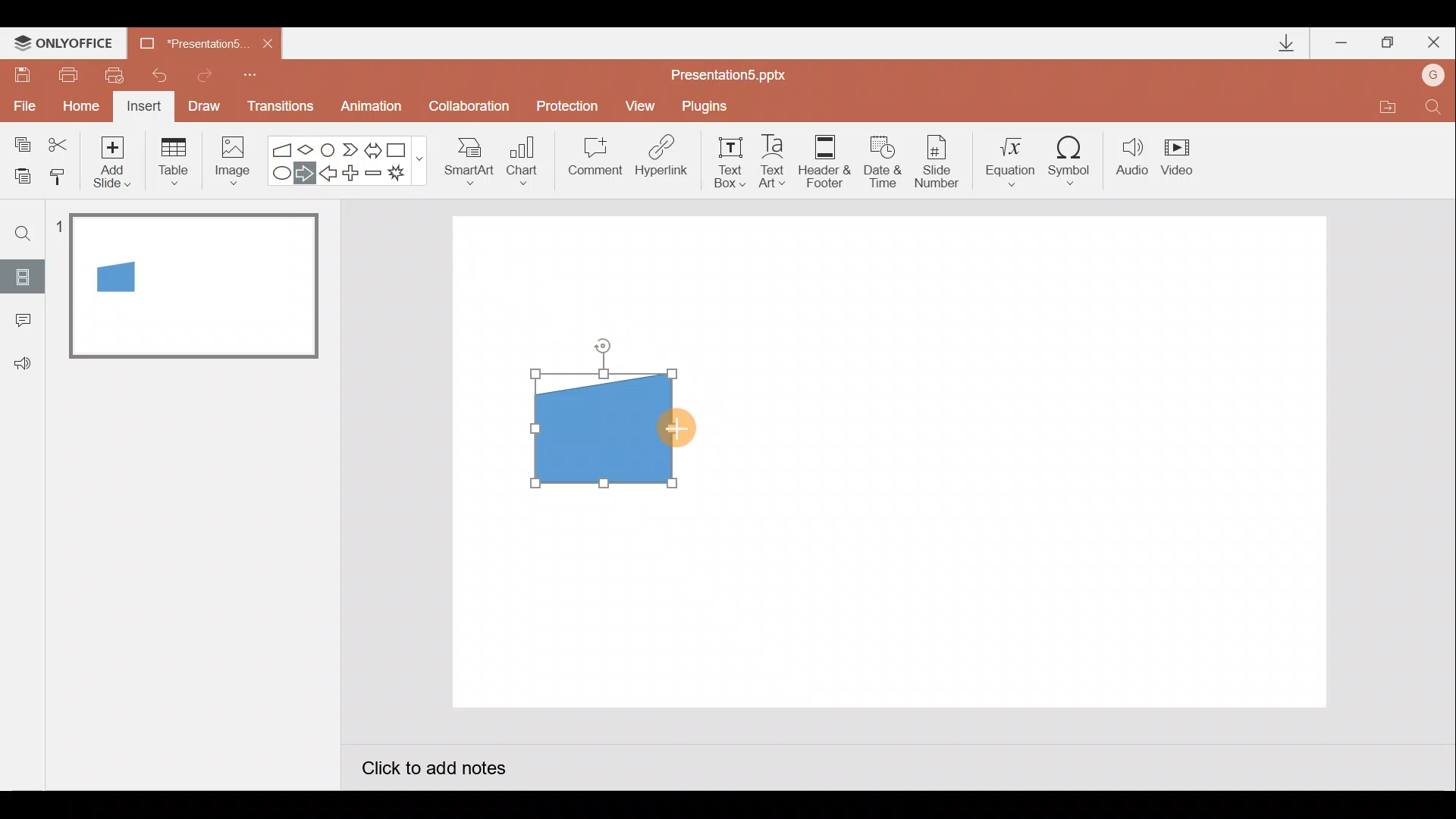 The width and height of the screenshot is (1456, 819). What do you see at coordinates (21, 102) in the screenshot?
I see `File` at bounding box center [21, 102].